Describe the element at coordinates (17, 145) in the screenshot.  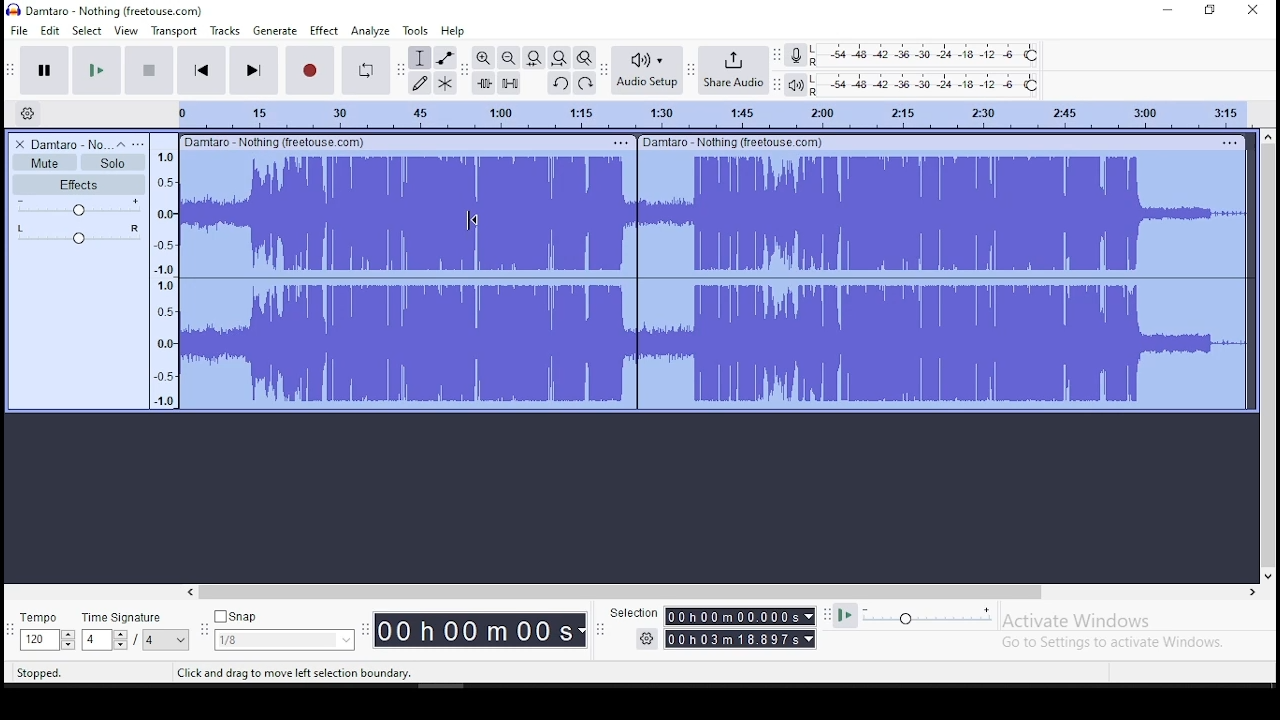
I see `delete track` at that location.